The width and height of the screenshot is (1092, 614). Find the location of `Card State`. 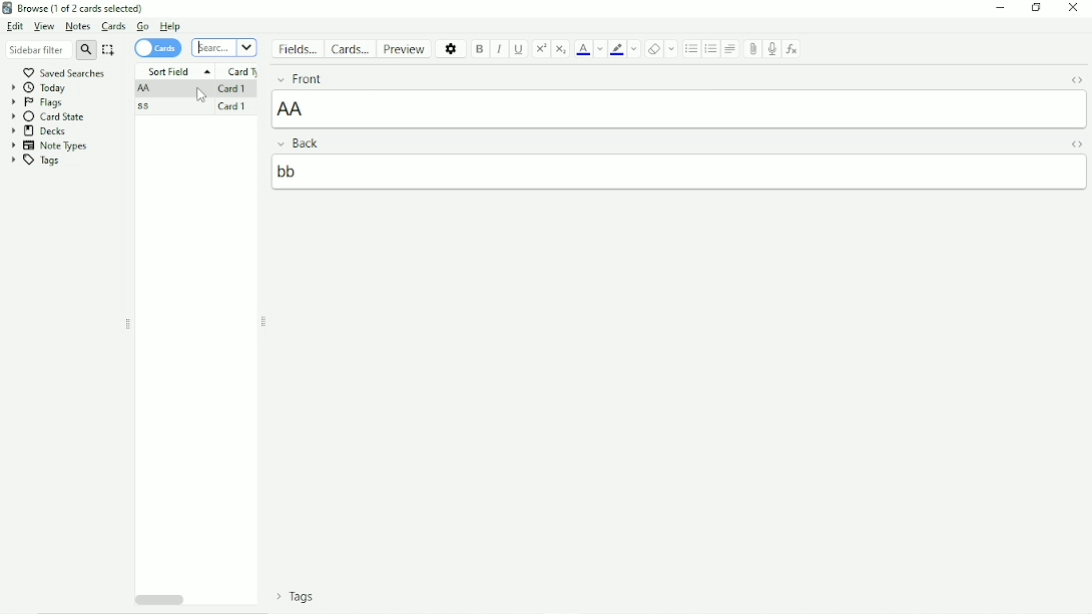

Card State is located at coordinates (49, 117).